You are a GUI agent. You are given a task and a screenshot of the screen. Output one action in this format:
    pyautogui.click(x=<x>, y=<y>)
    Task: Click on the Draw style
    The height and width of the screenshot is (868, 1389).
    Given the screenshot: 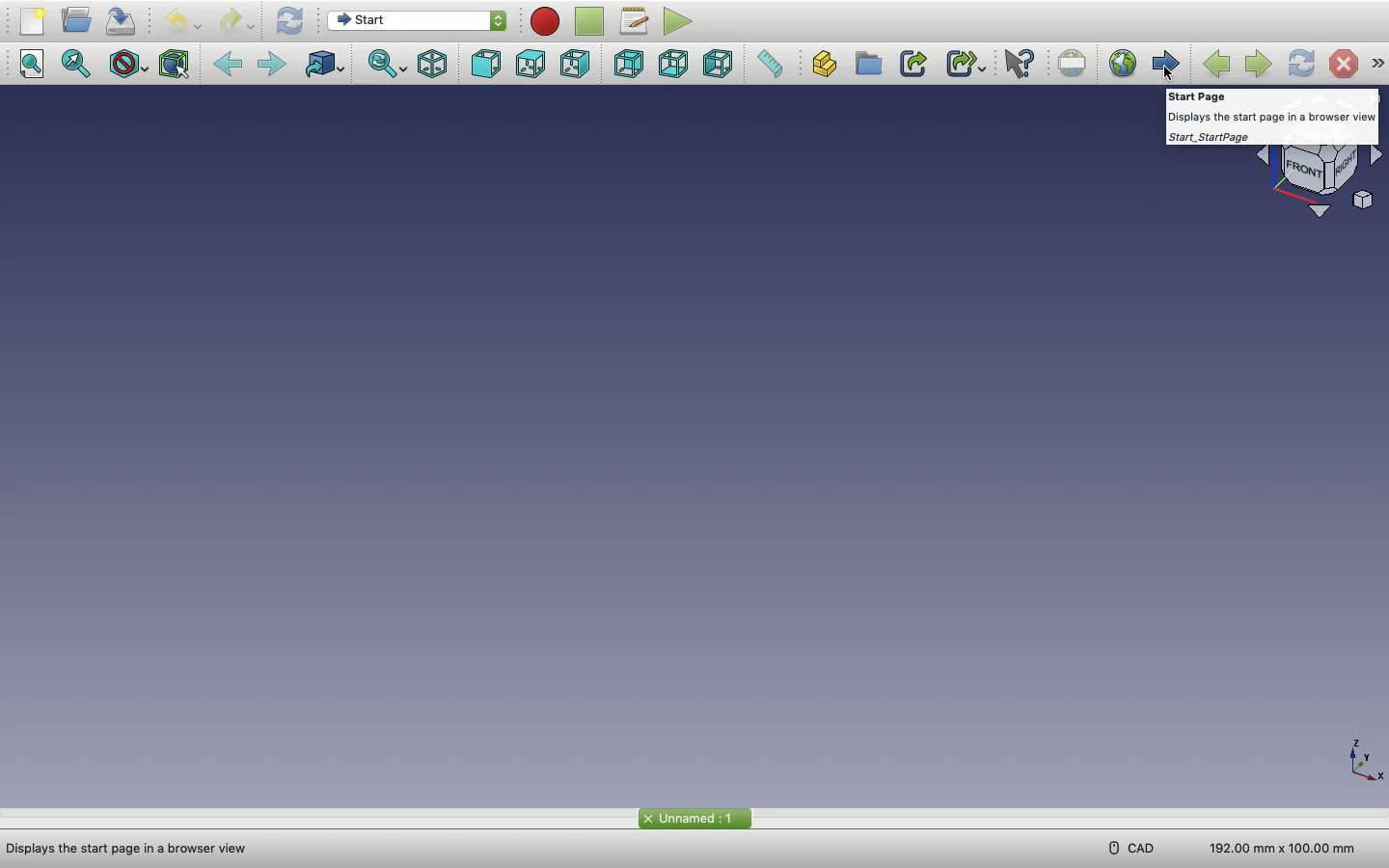 What is the action you would take?
    pyautogui.click(x=127, y=64)
    